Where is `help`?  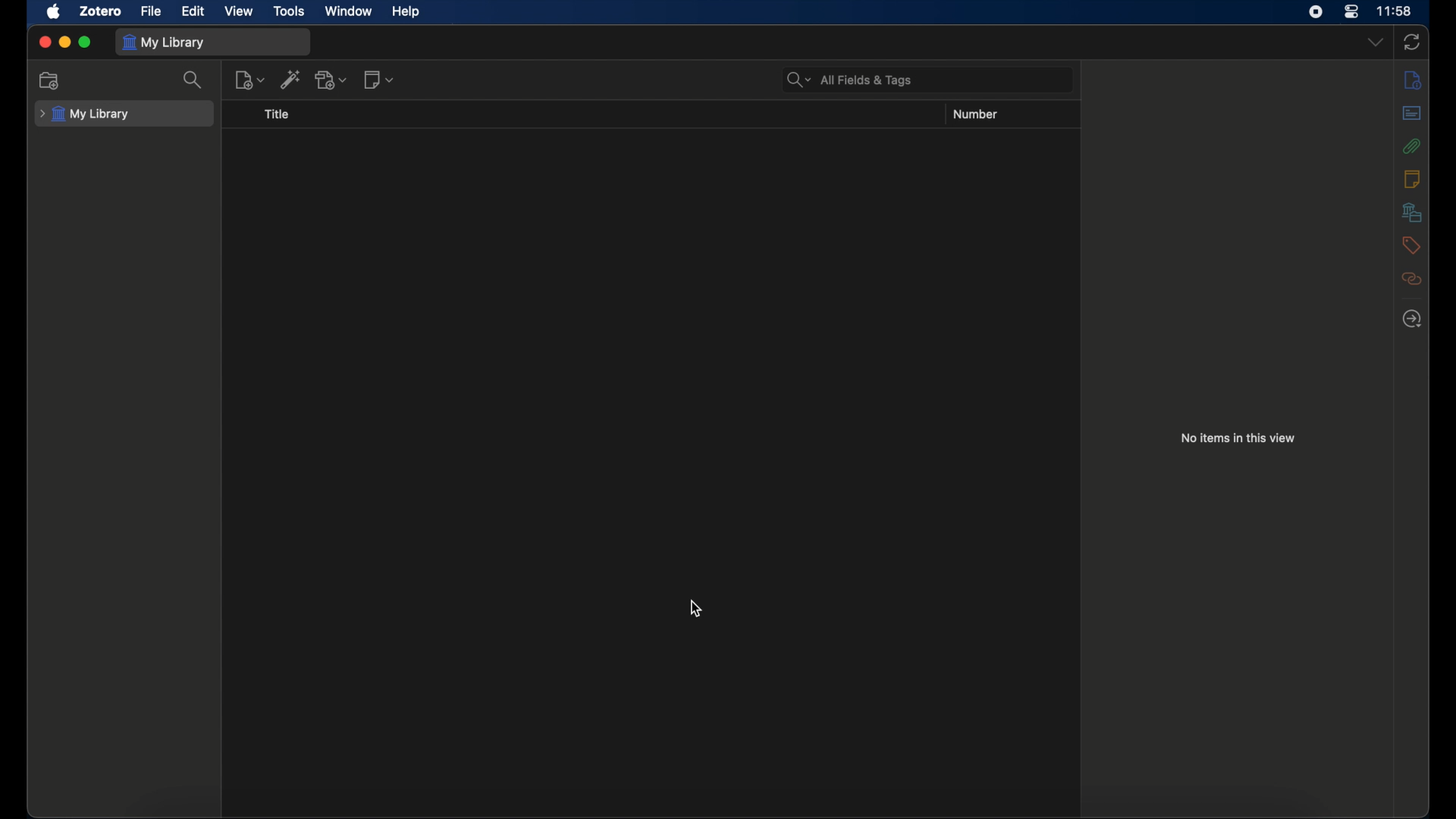
help is located at coordinates (406, 12).